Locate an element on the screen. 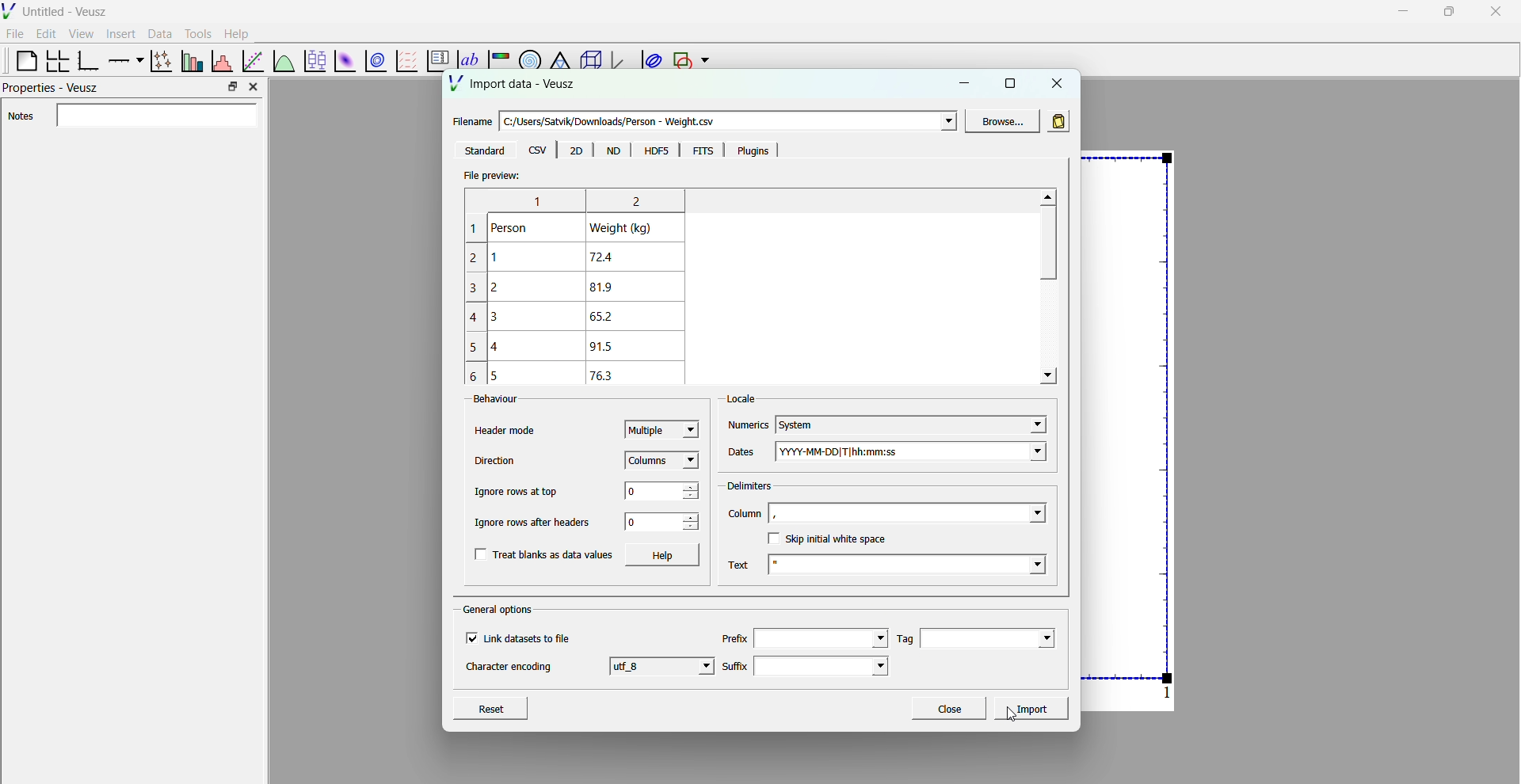 Image resolution: width=1521 pixels, height=784 pixels. Ignore rows at top is located at coordinates (516, 491).